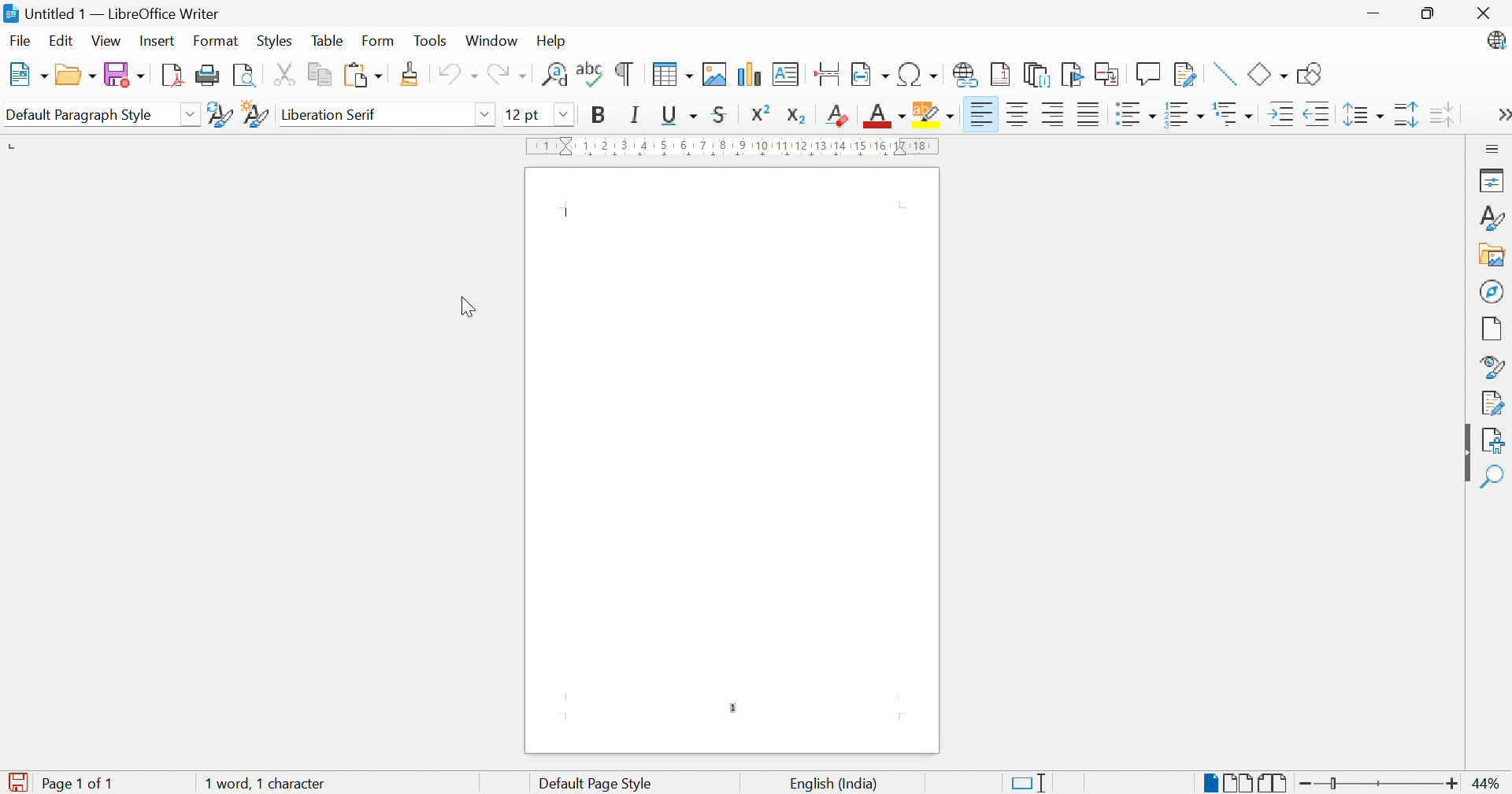  What do you see at coordinates (872, 73) in the screenshot?
I see `Insert field` at bounding box center [872, 73].